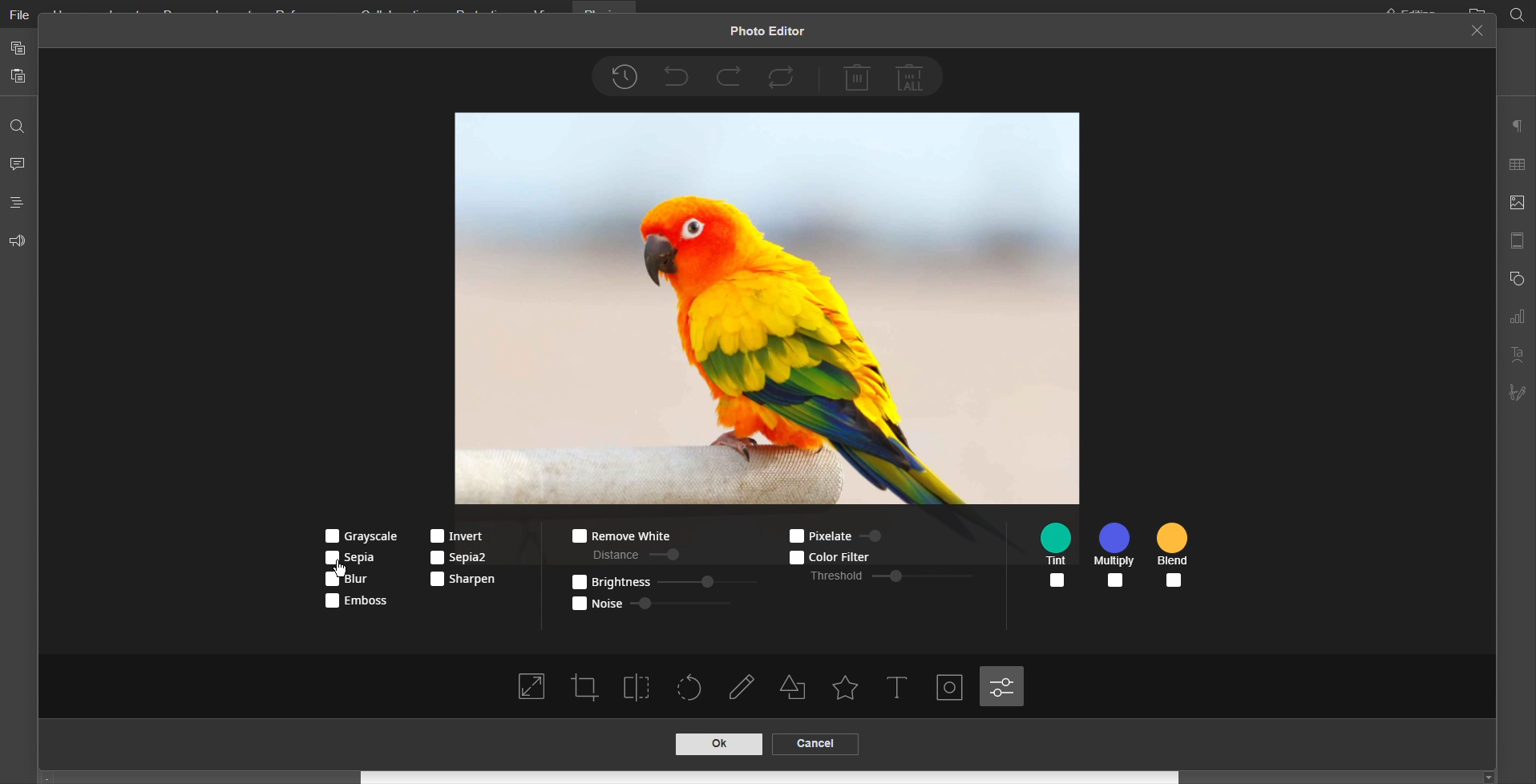 Image resolution: width=1536 pixels, height=784 pixels. I want to click on Redo, so click(729, 75).